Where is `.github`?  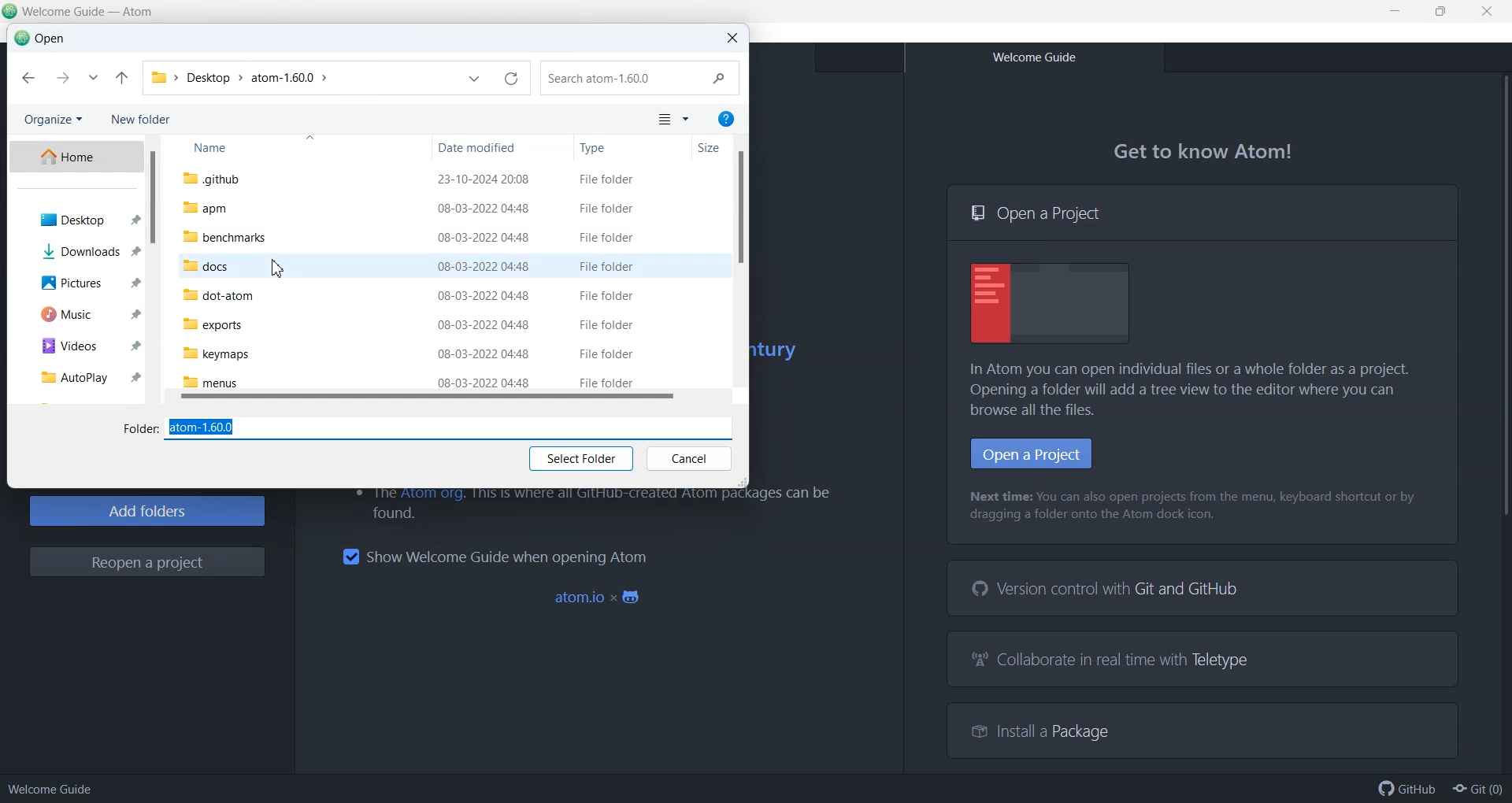 .github is located at coordinates (211, 179).